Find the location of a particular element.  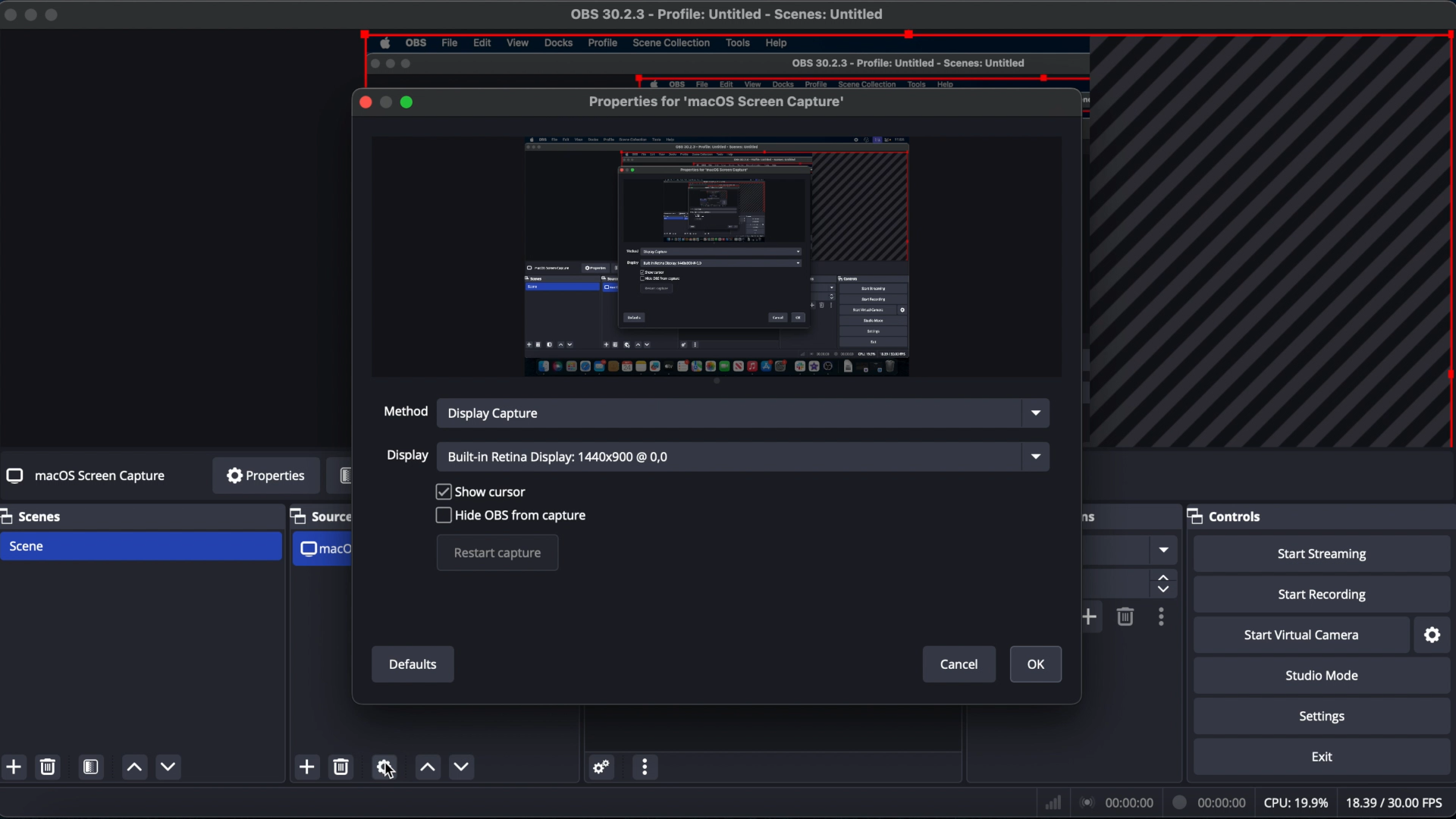

drop down toggle is located at coordinates (1036, 456).